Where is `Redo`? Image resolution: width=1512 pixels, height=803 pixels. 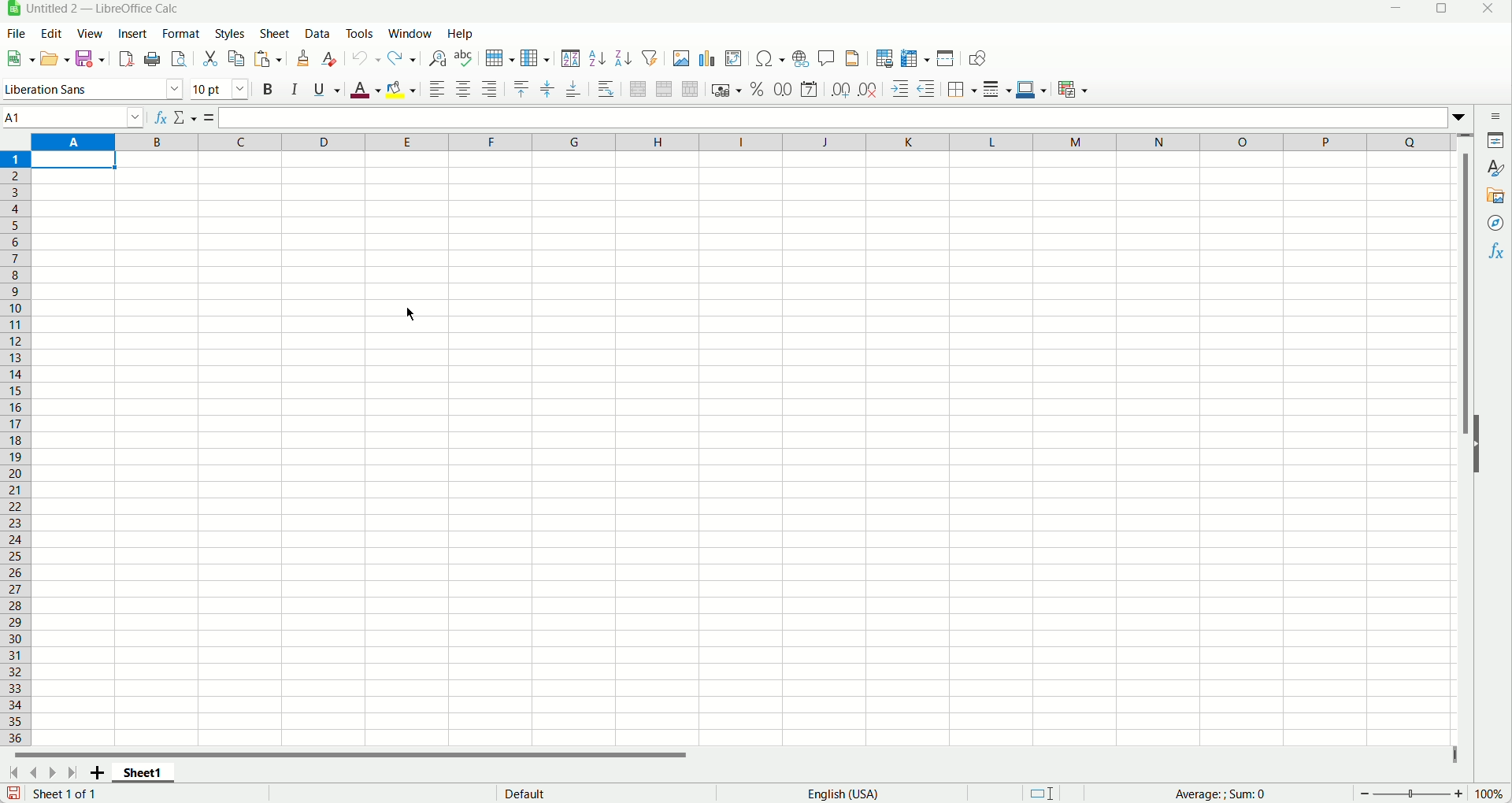
Redo is located at coordinates (404, 58).